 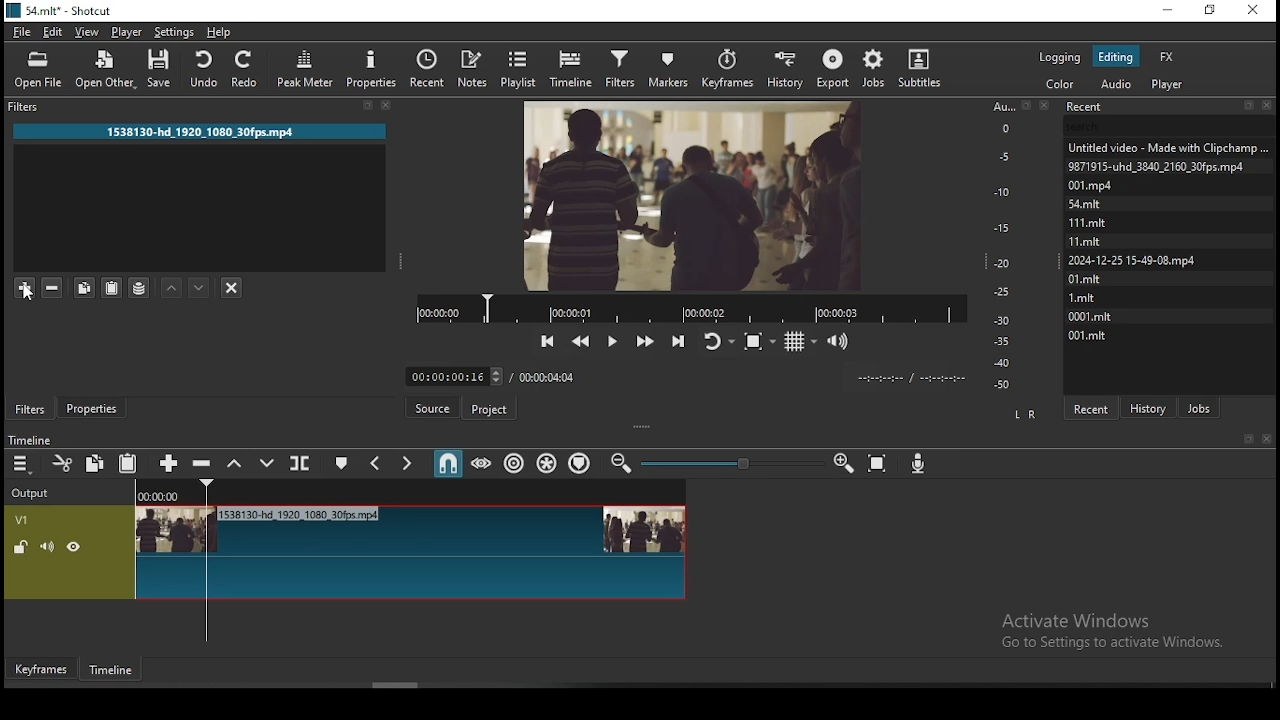 I want to click on scrub while dragging, so click(x=483, y=463).